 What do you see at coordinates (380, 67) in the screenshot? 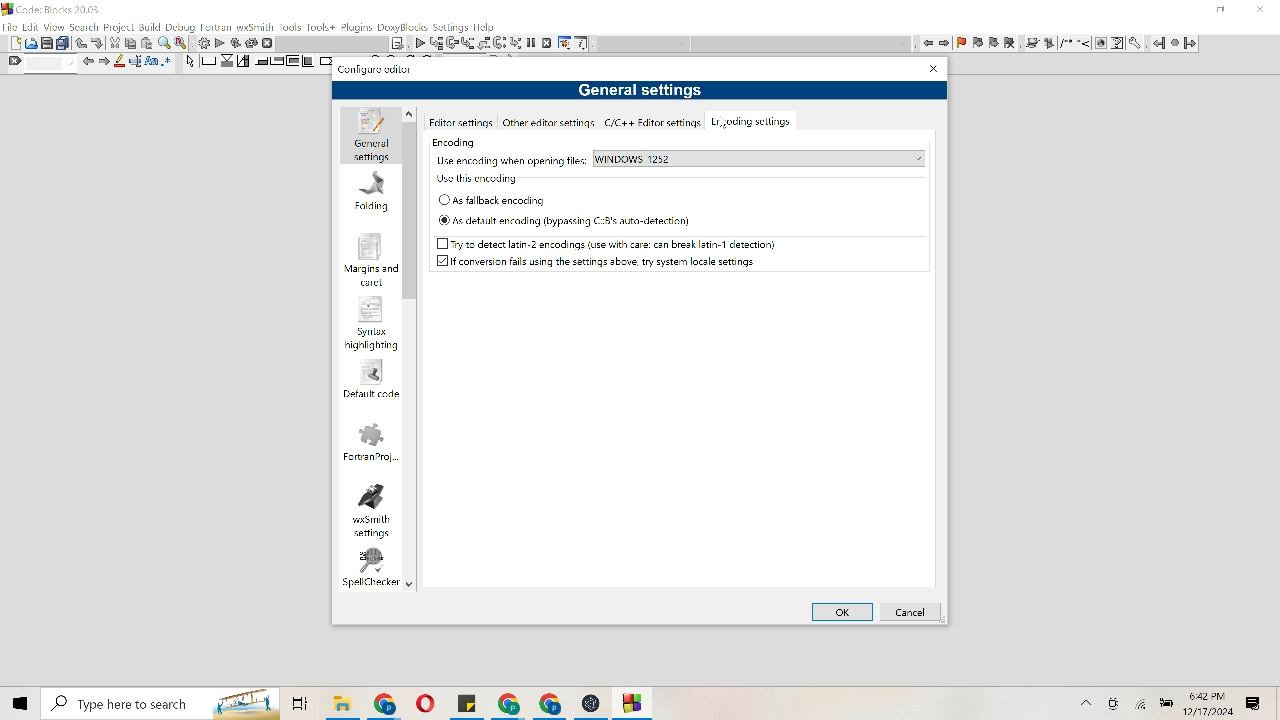
I see `Configure editor` at bounding box center [380, 67].